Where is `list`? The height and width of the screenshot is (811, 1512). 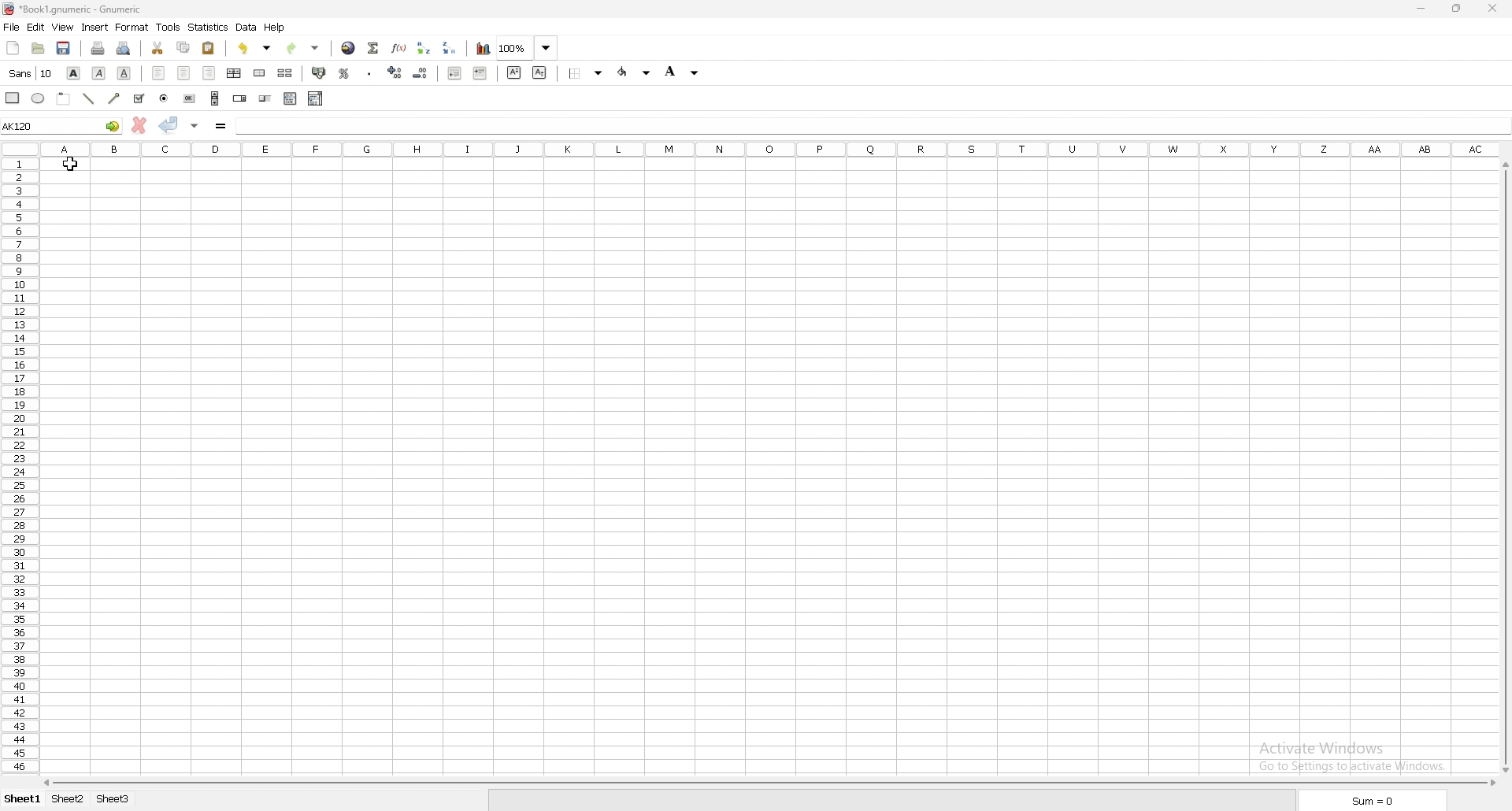
list is located at coordinates (291, 98).